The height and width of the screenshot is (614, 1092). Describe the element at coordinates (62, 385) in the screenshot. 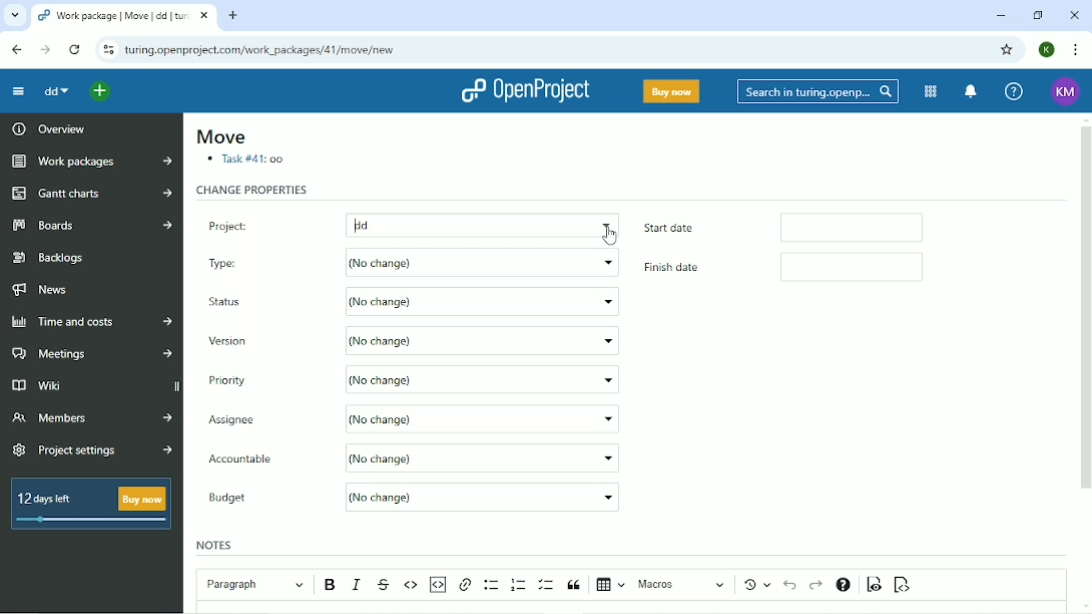

I see `Wiki` at that location.